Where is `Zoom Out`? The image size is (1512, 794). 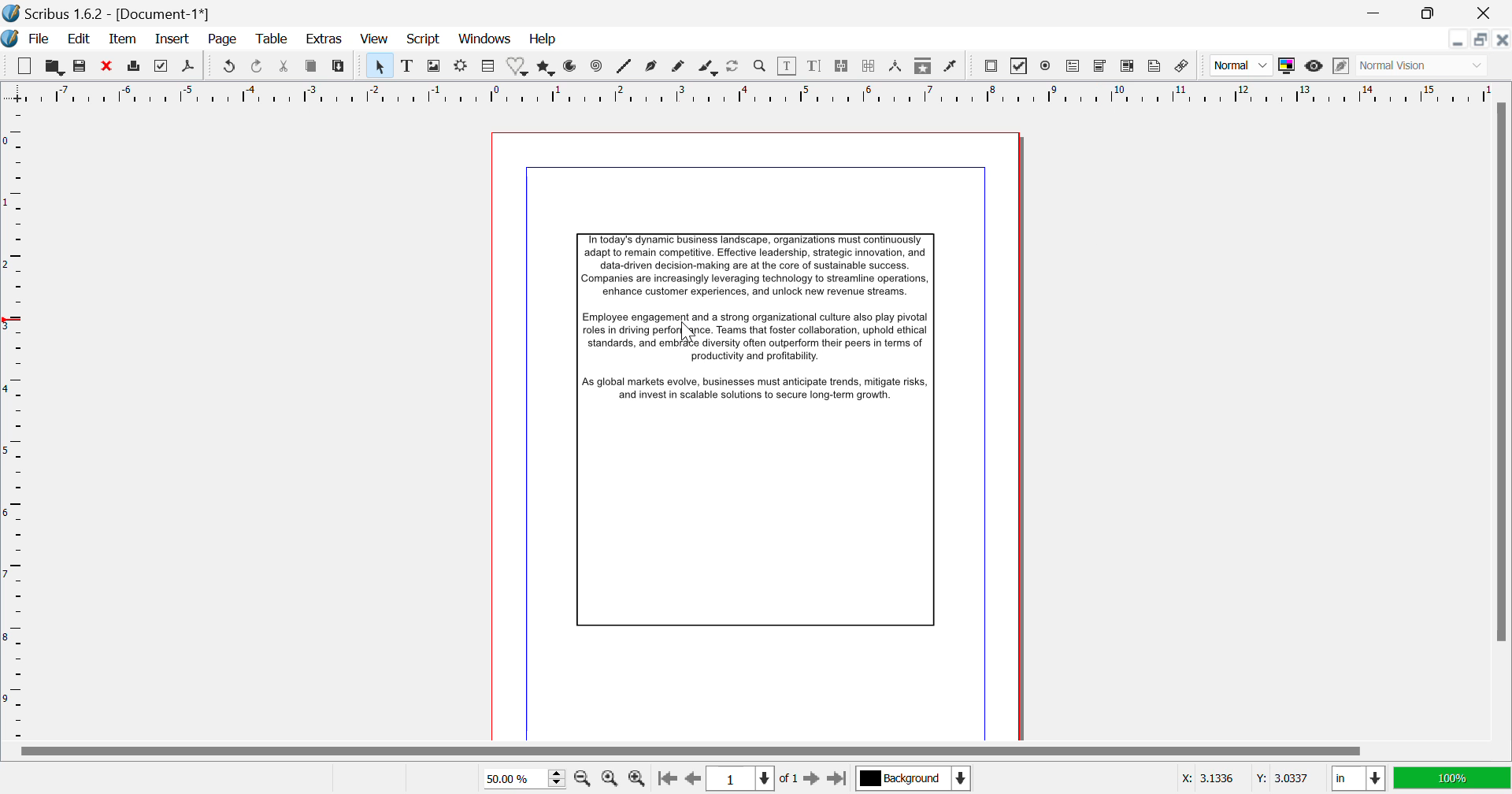 Zoom Out is located at coordinates (583, 777).